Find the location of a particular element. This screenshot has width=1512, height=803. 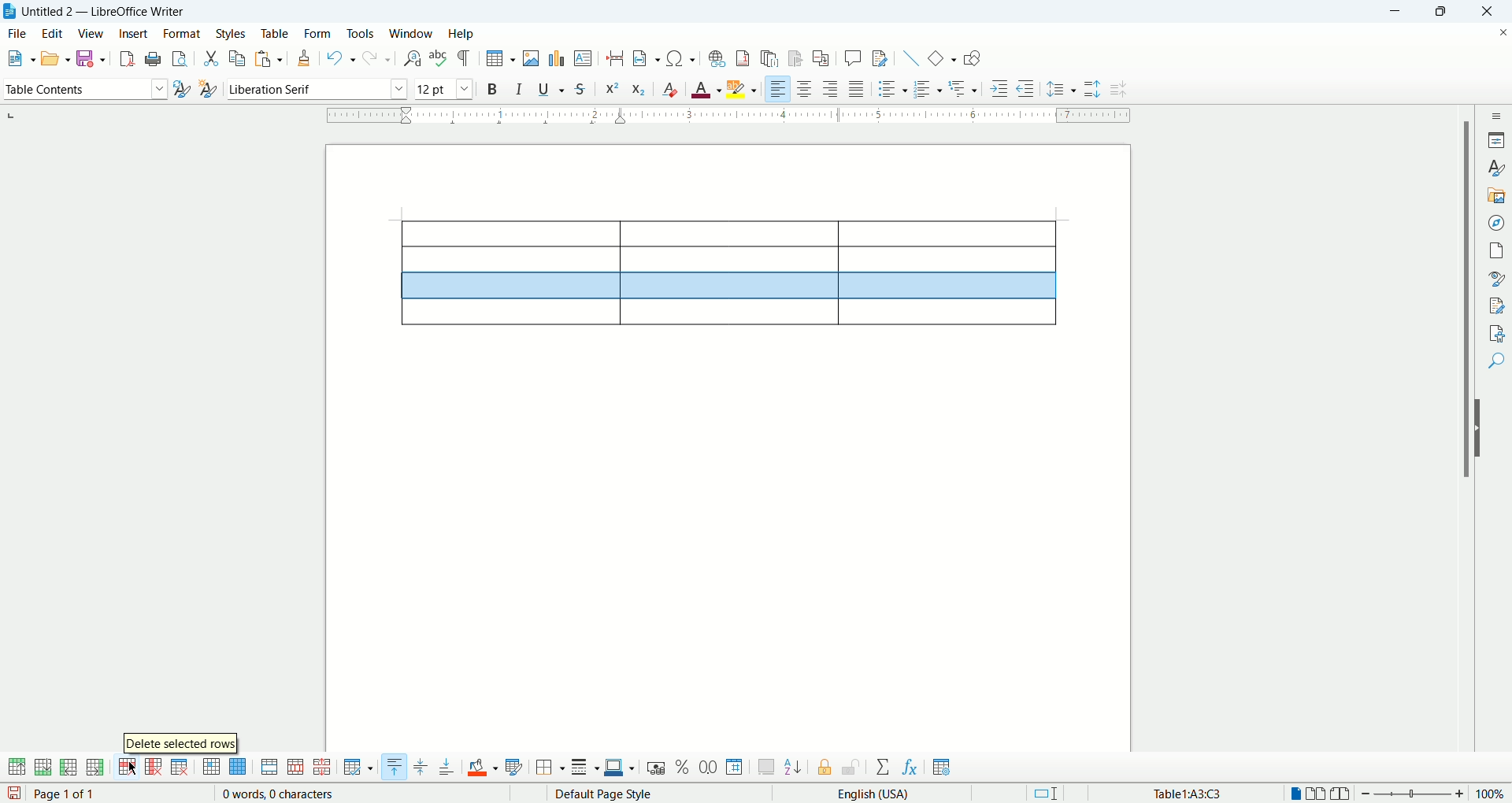

clear formating is located at coordinates (668, 89).